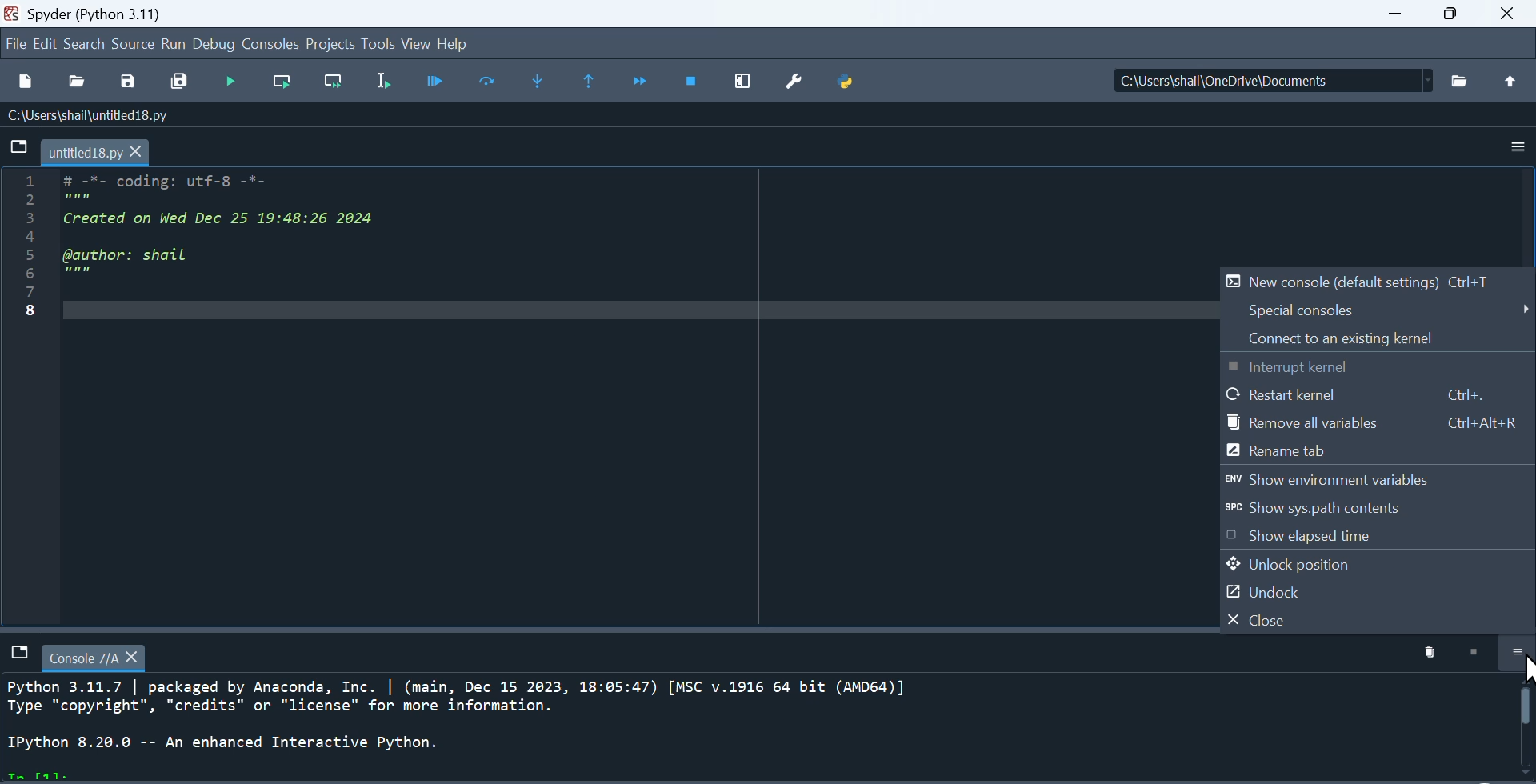 This screenshot has width=1536, height=784. I want to click on step into next line, so click(541, 83).